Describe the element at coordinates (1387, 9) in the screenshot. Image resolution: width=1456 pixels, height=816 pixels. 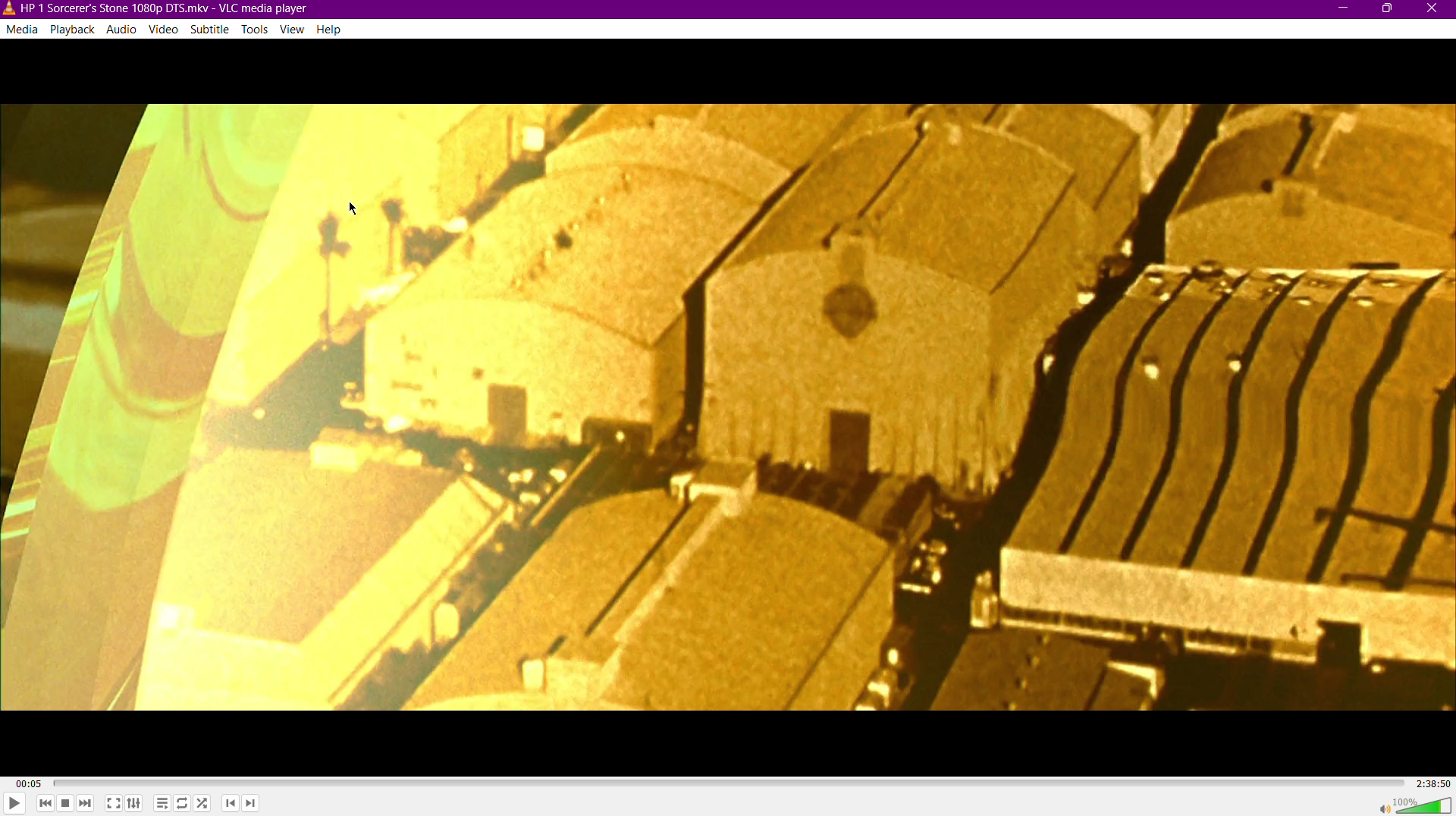
I see `Maximize` at that location.